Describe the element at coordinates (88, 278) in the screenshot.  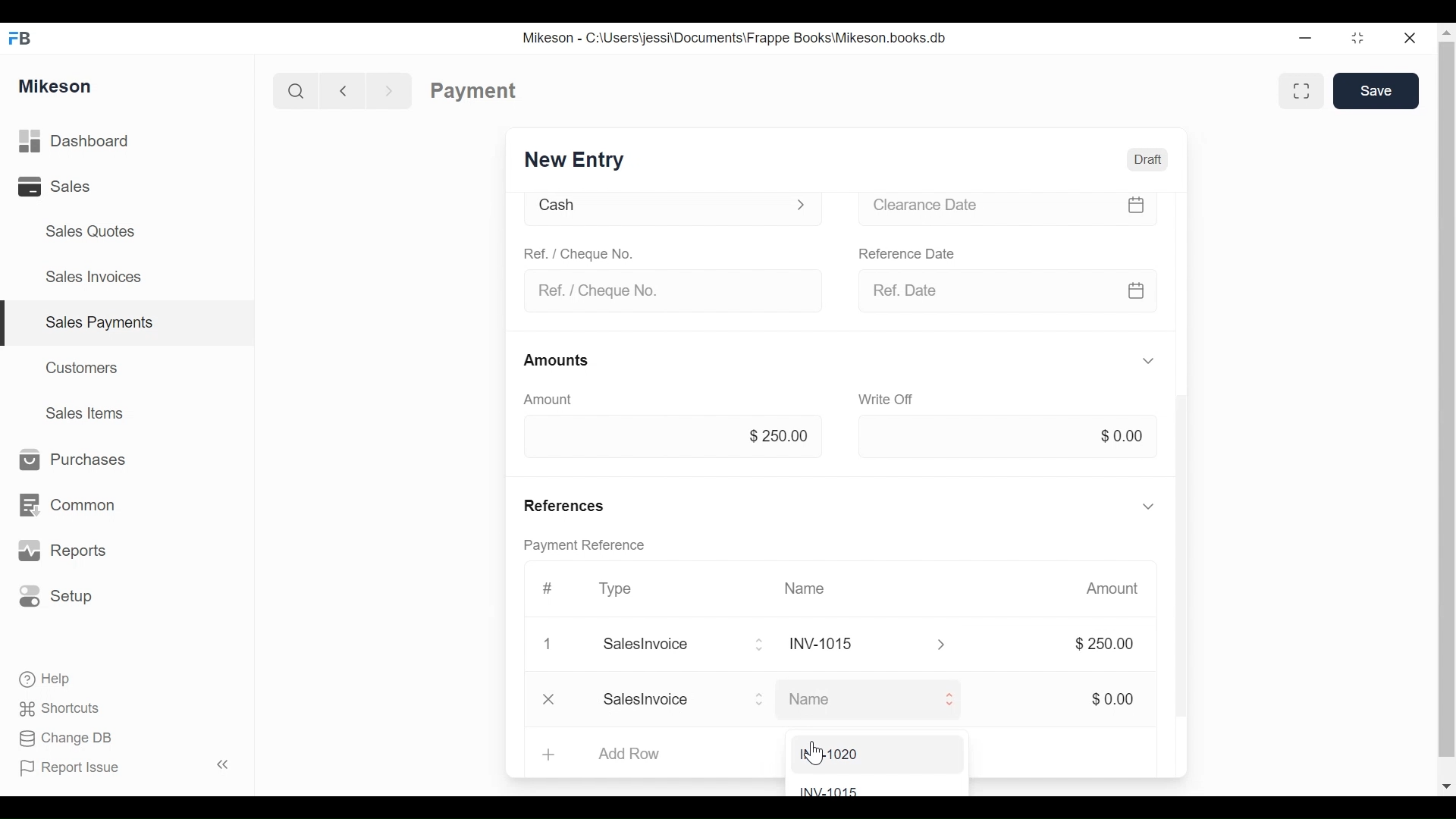
I see `Sales Invoices` at that location.